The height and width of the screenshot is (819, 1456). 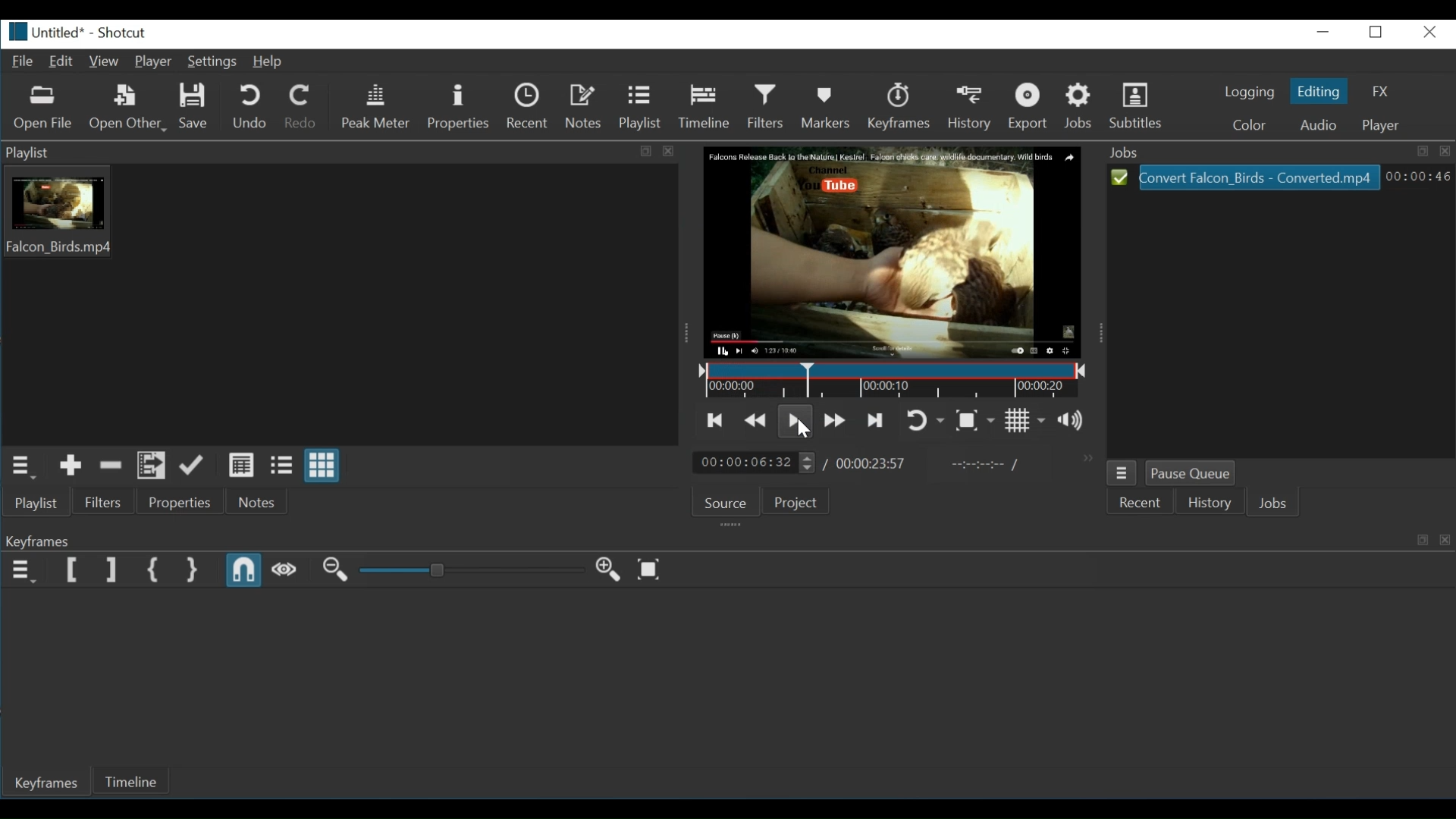 What do you see at coordinates (1381, 92) in the screenshot?
I see `FX` at bounding box center [1381, 92].